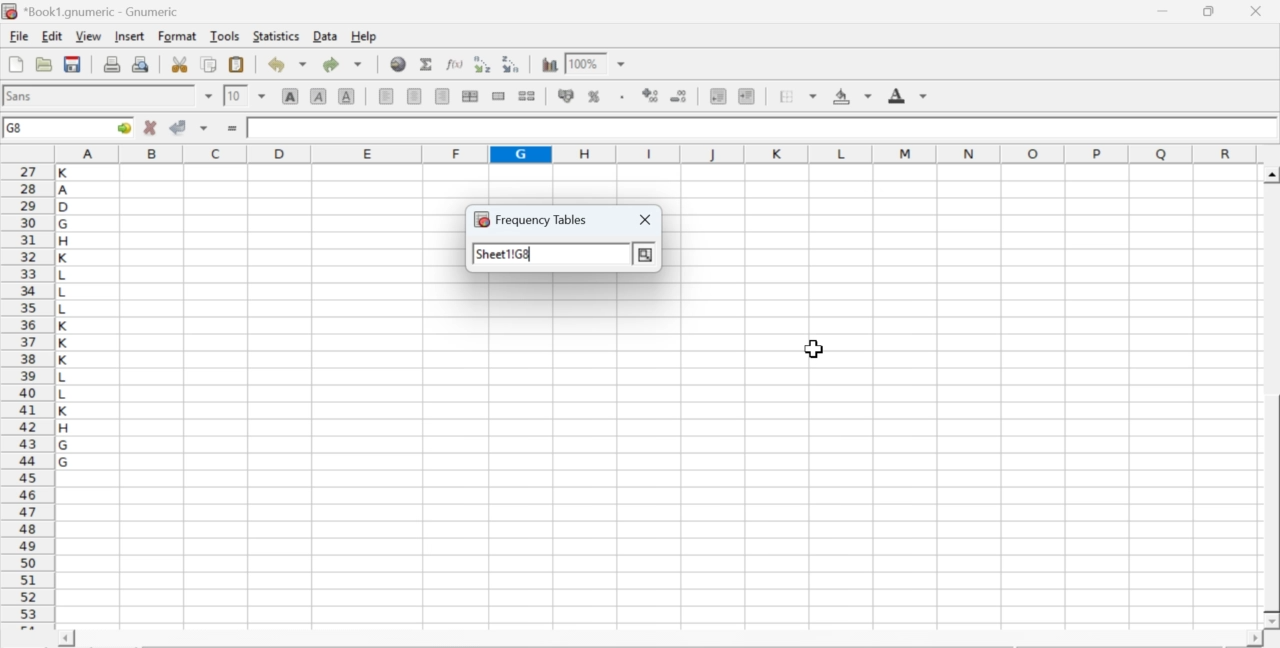 This screenshot has width=1280, height=648. I want to click on Sort the selected region in ascending order based on the first column selected, so click(485, 64).